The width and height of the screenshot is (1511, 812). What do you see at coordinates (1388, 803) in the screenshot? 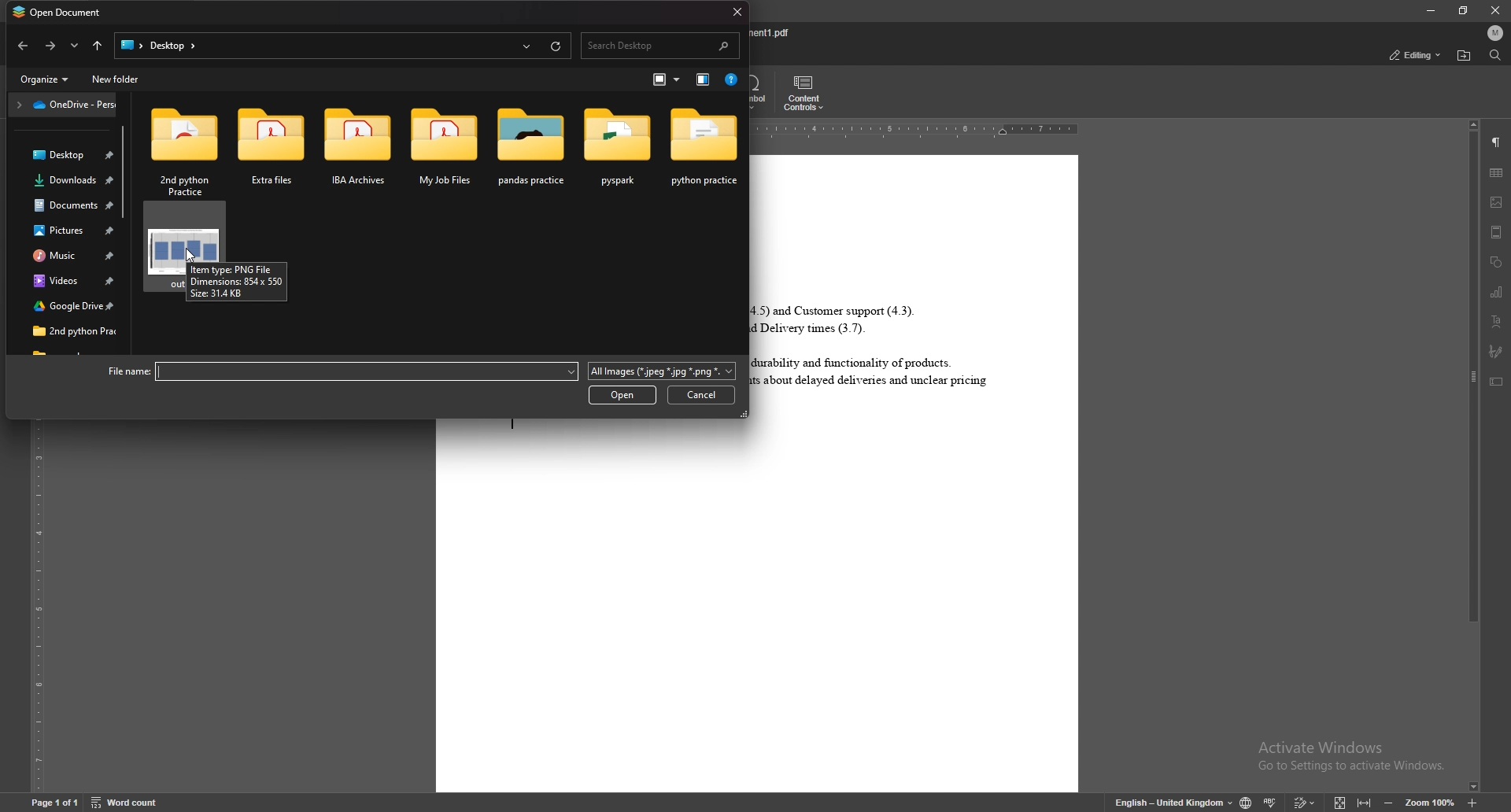
I see `zoom out` at bounding box center [1388, 803].